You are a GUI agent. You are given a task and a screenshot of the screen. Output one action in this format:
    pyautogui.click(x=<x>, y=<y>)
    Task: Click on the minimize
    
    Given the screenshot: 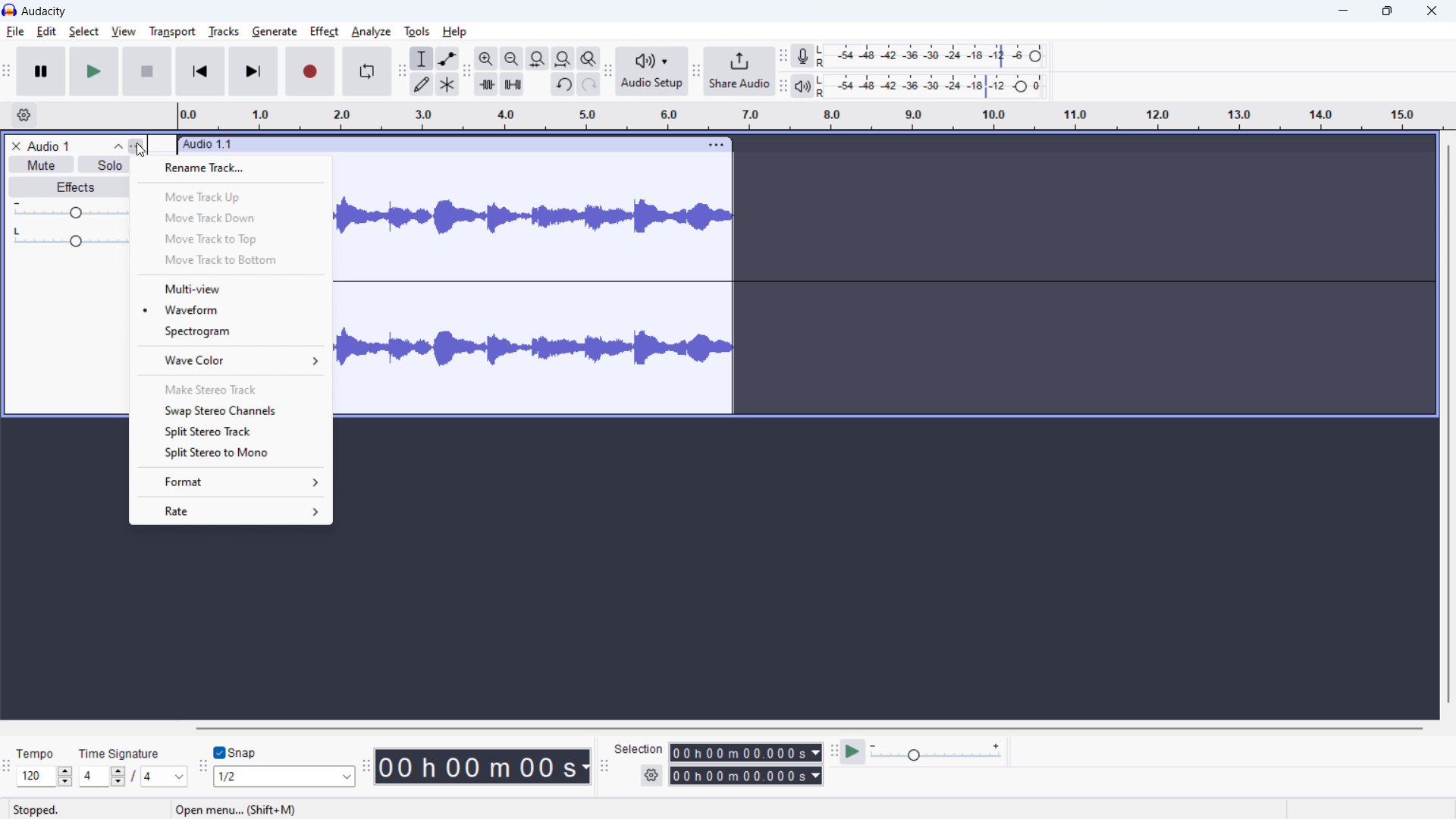 What is the action you would take?
    pyautogui.click(x=1341, y=11)
    